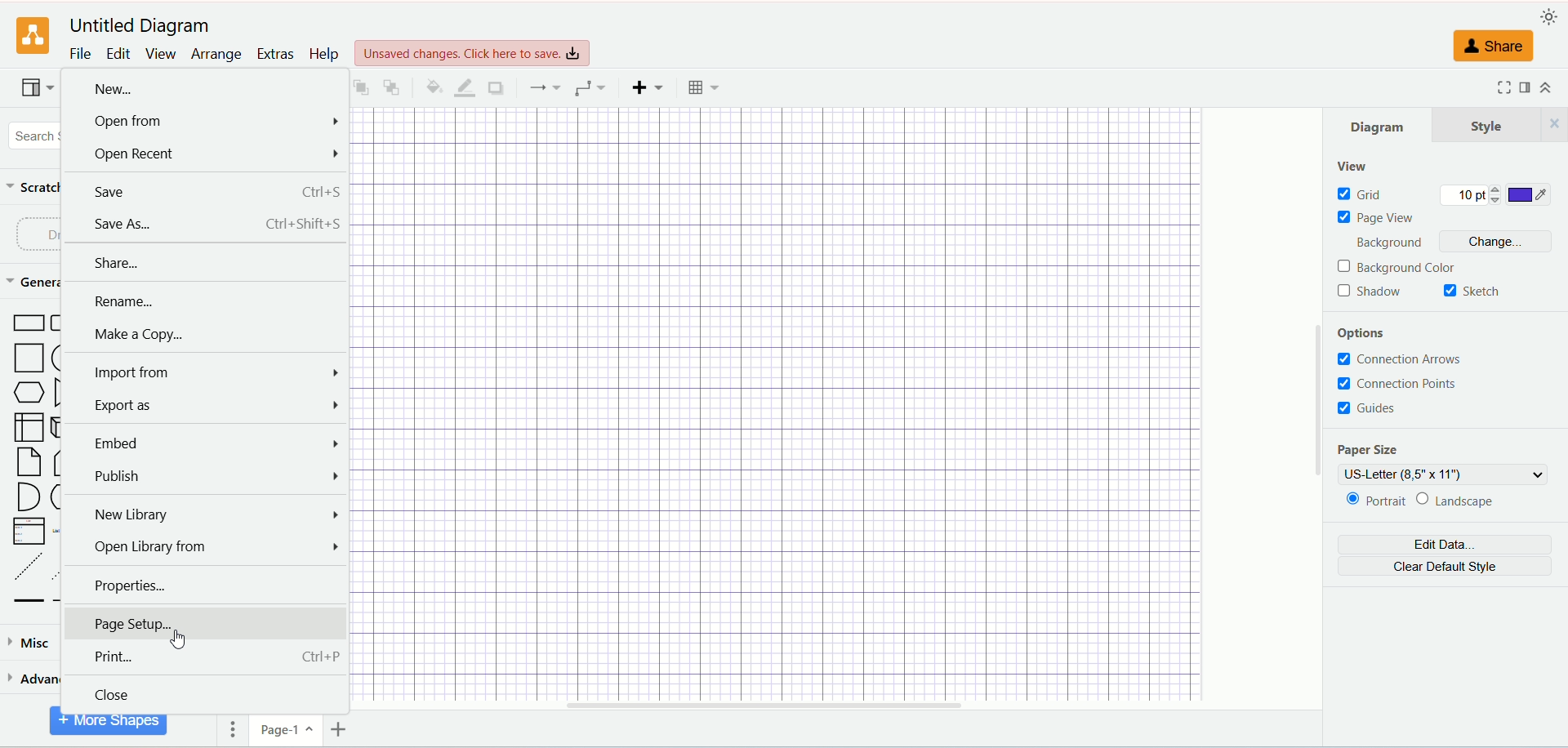  I want to click on 10 pt, so click(1471, 196).